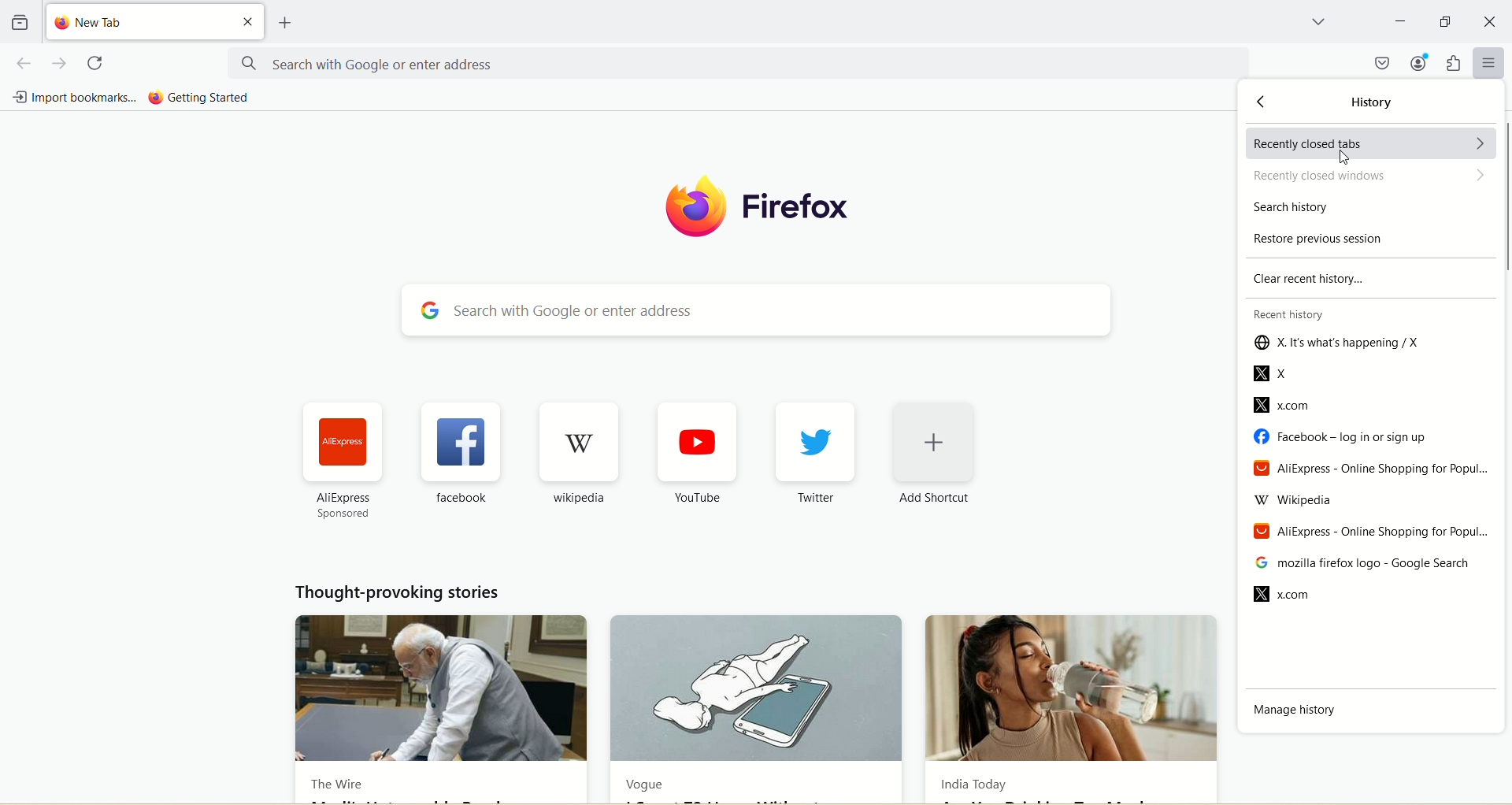 The height and width of the screenshot is (805, 1512). What do you see at coordinates (1373, 438) in the screenshot?
I see `facebook` at bounding box center [1373, 438].